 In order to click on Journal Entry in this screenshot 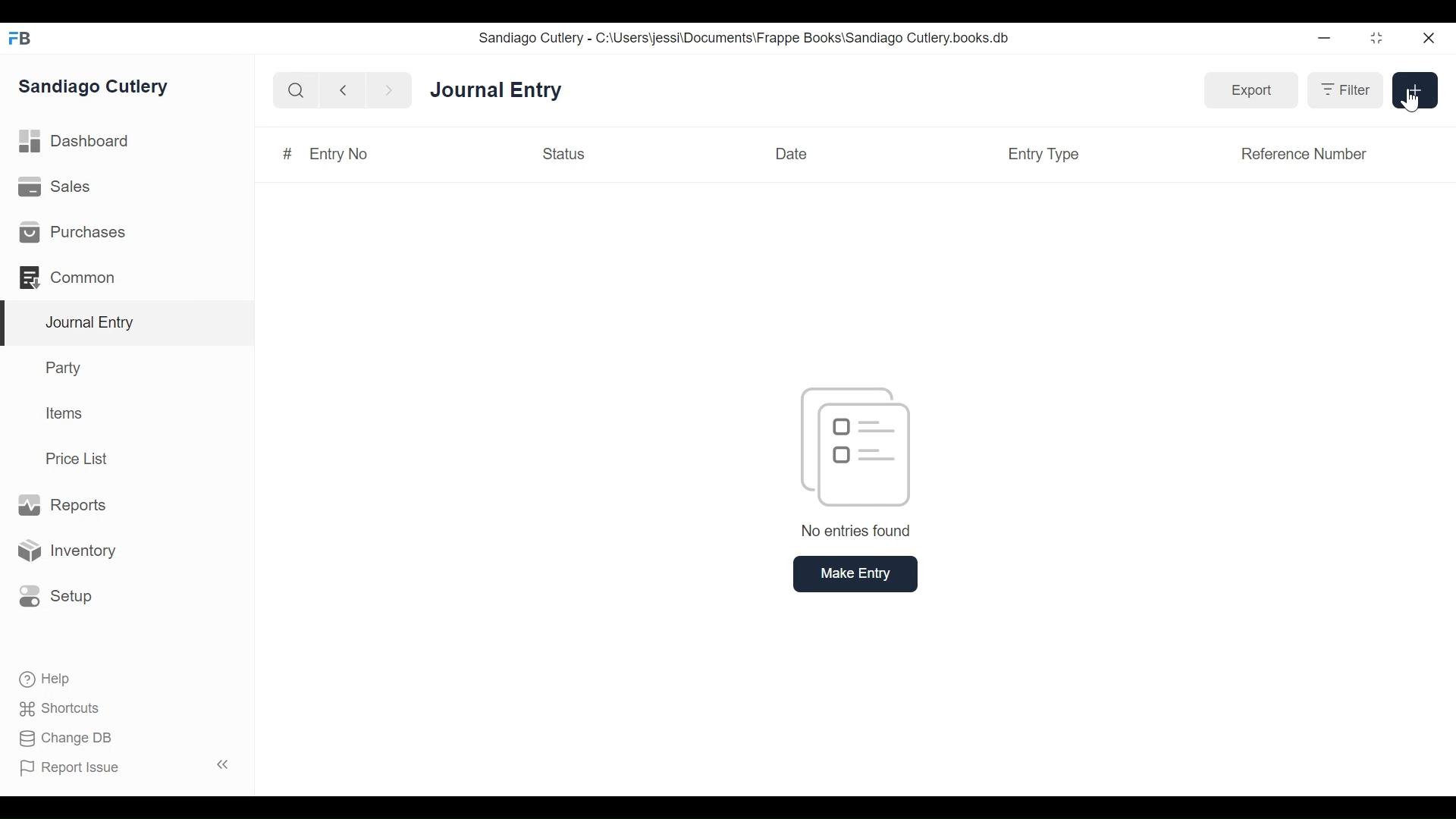, I will do `click(128, 324)`.